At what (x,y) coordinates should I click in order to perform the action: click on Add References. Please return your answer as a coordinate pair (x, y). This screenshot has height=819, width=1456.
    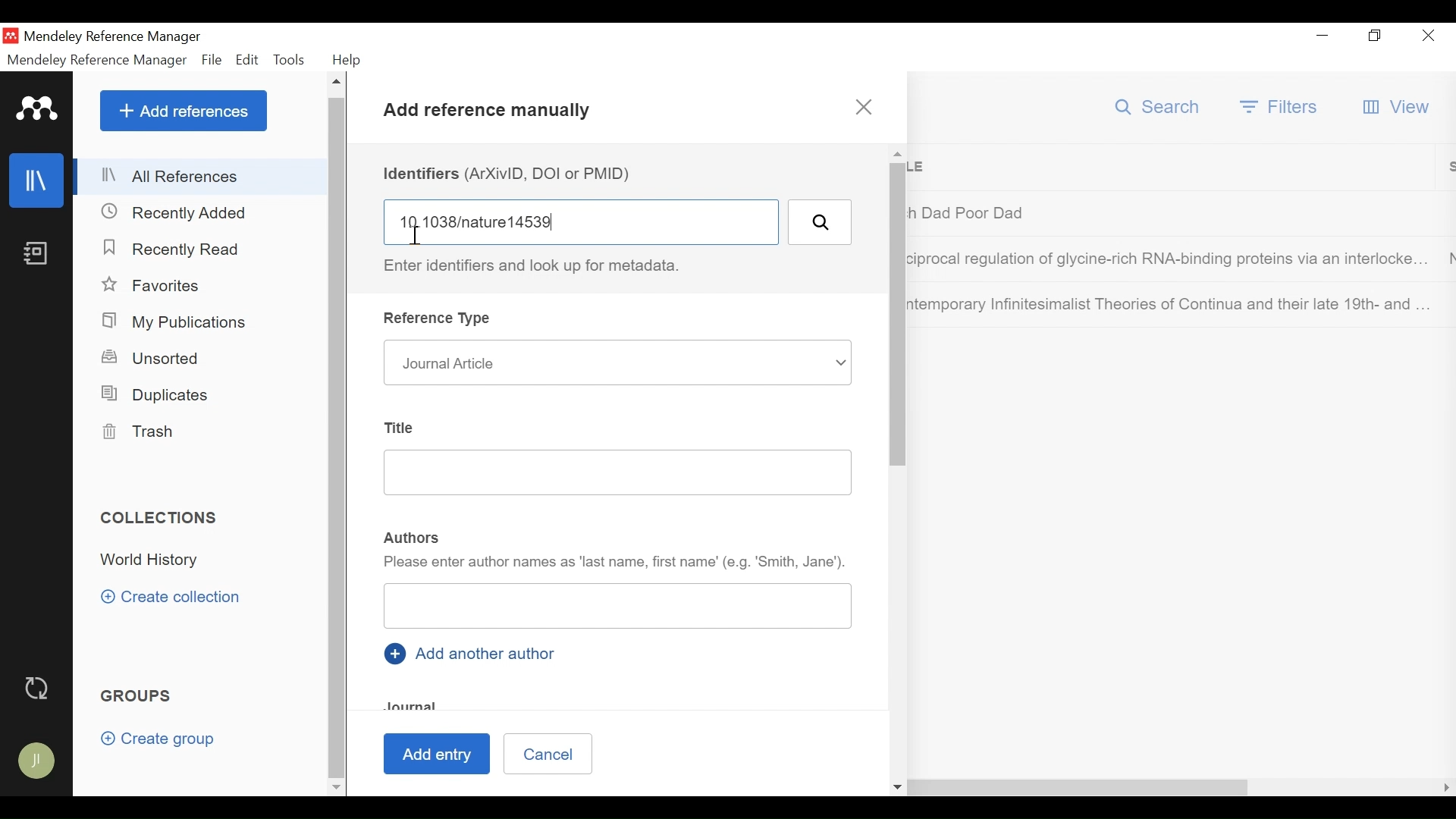
    Looking at the image, I should click on (184, 110).